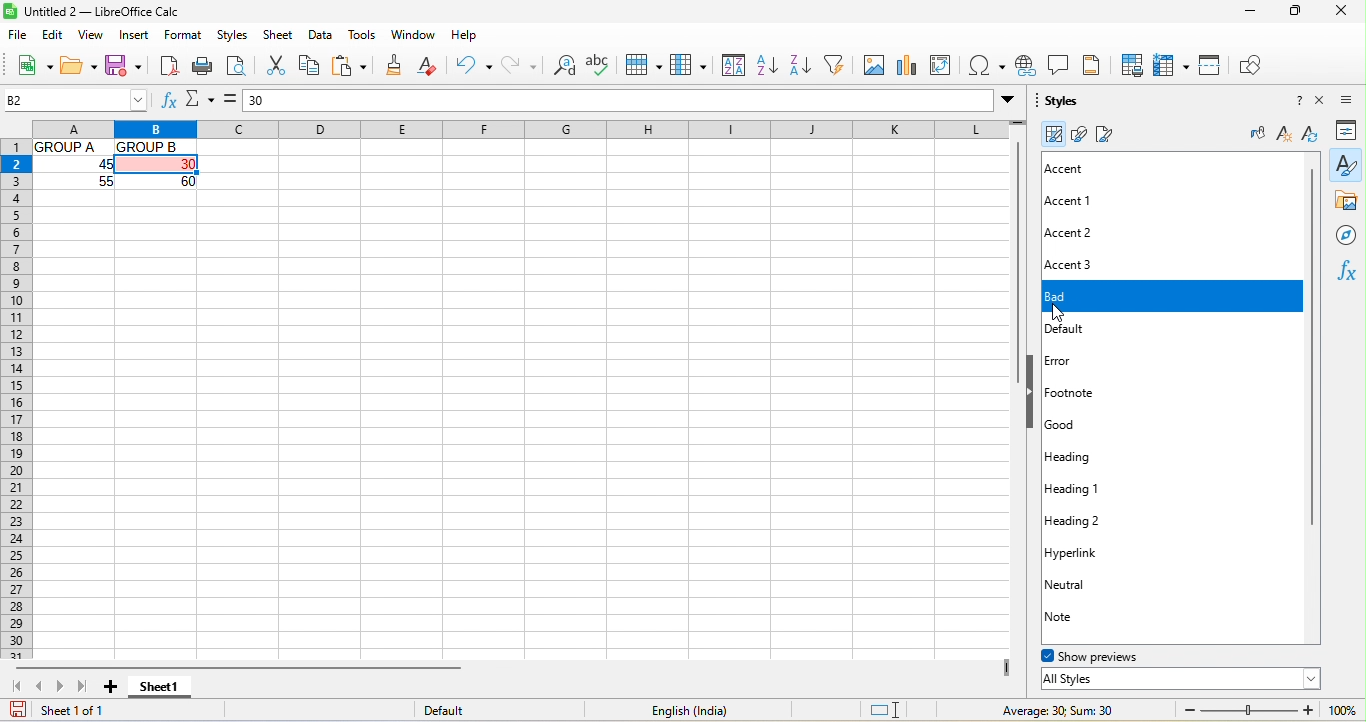 The width and height of the screenshot is (1366, 722). Describe the element at coordinates (1174, 297) in the screenshot. I see `Bad` at that location.